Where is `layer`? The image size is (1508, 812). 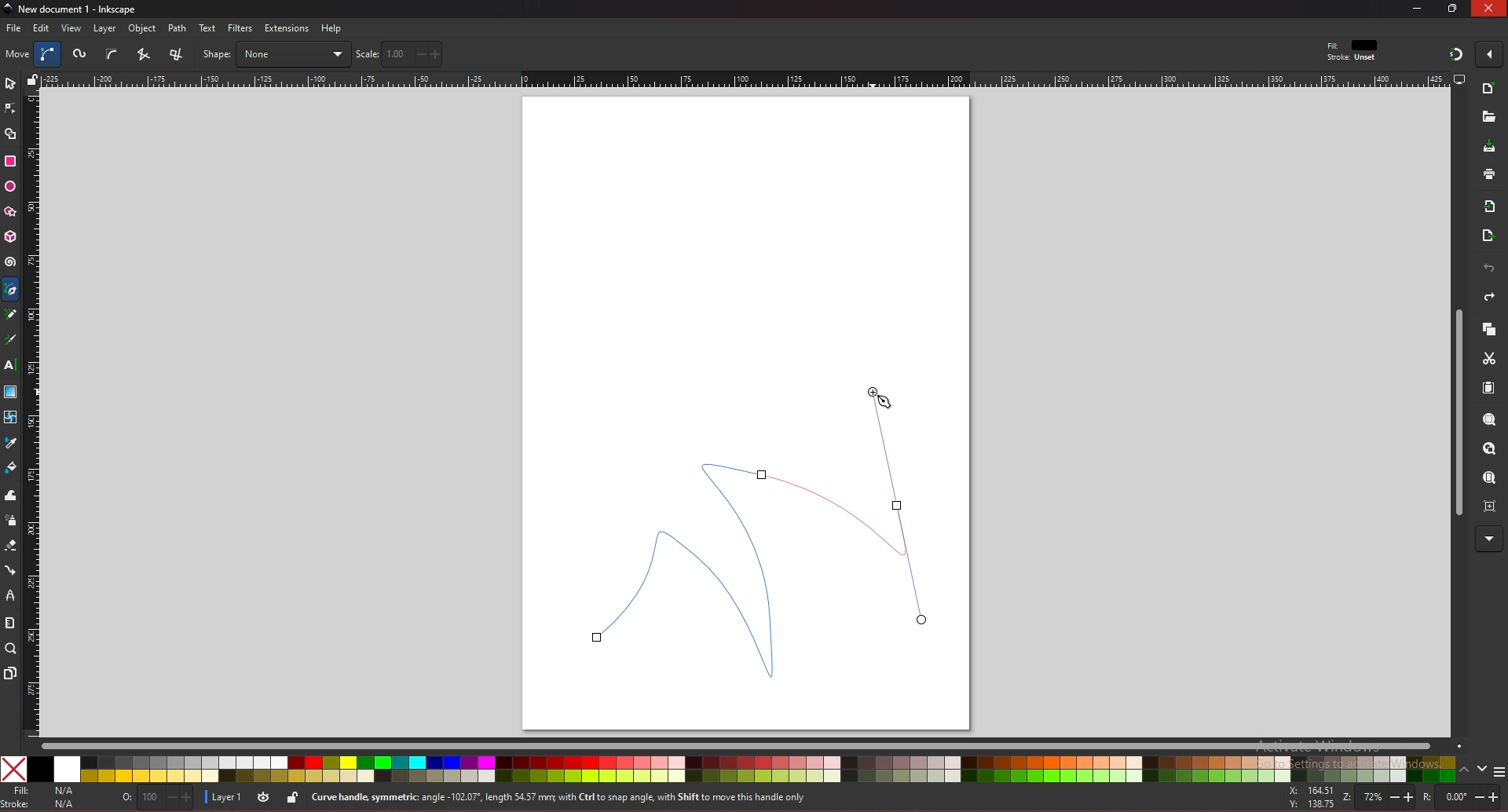 layer is located at coordinates (226, 796).